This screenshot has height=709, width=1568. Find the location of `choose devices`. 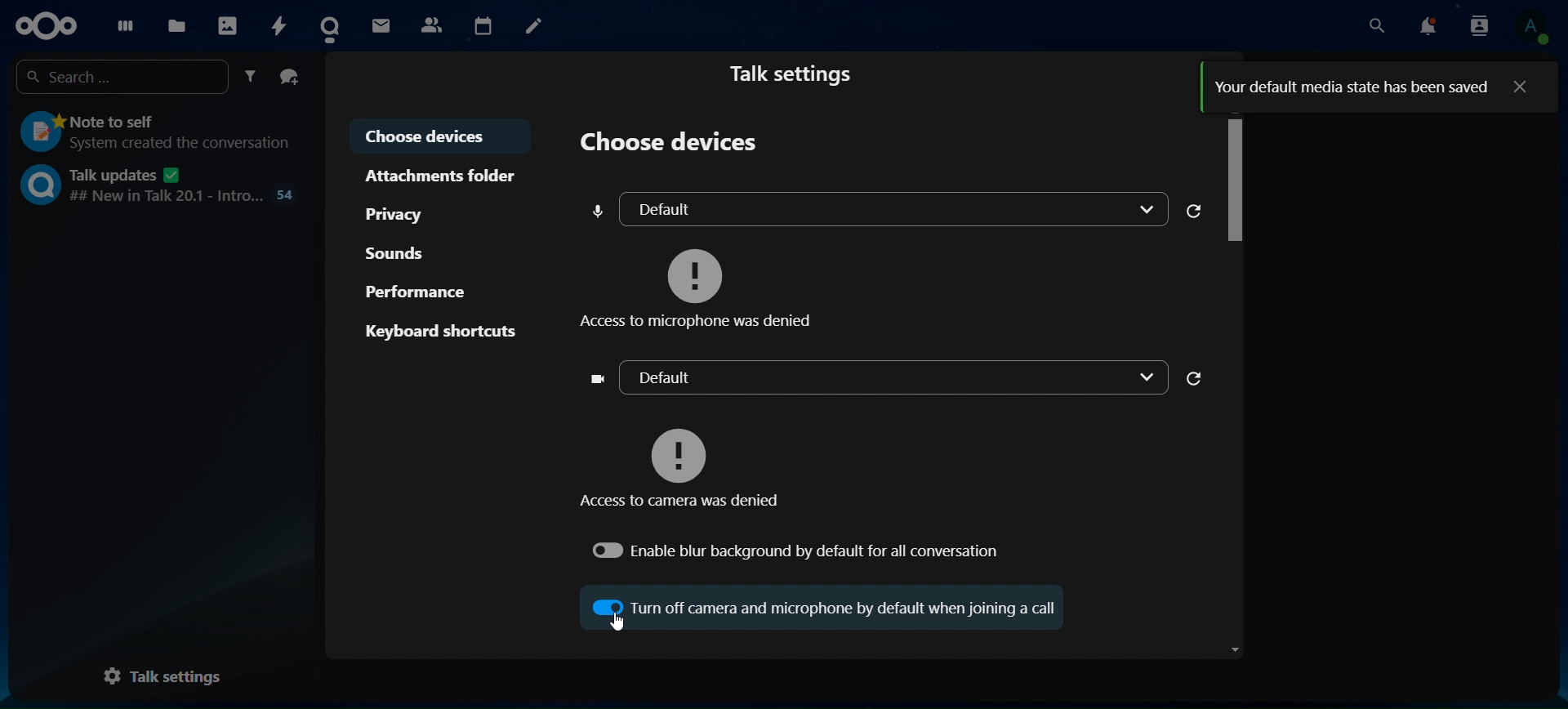

choose devices is located at coordinates (675, 145).